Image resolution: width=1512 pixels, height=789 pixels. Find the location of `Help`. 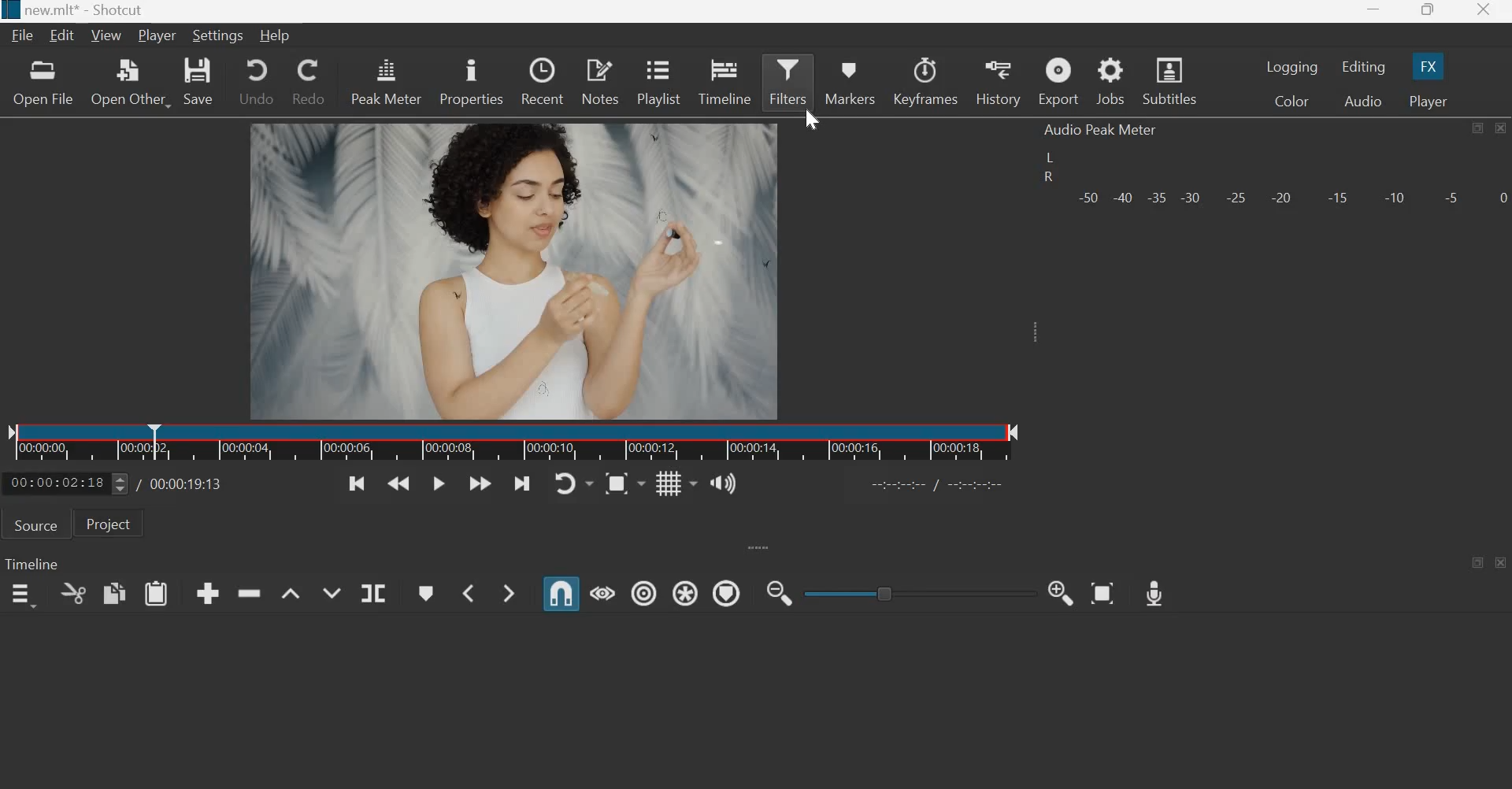

Help is located at coordinates (276, 37).